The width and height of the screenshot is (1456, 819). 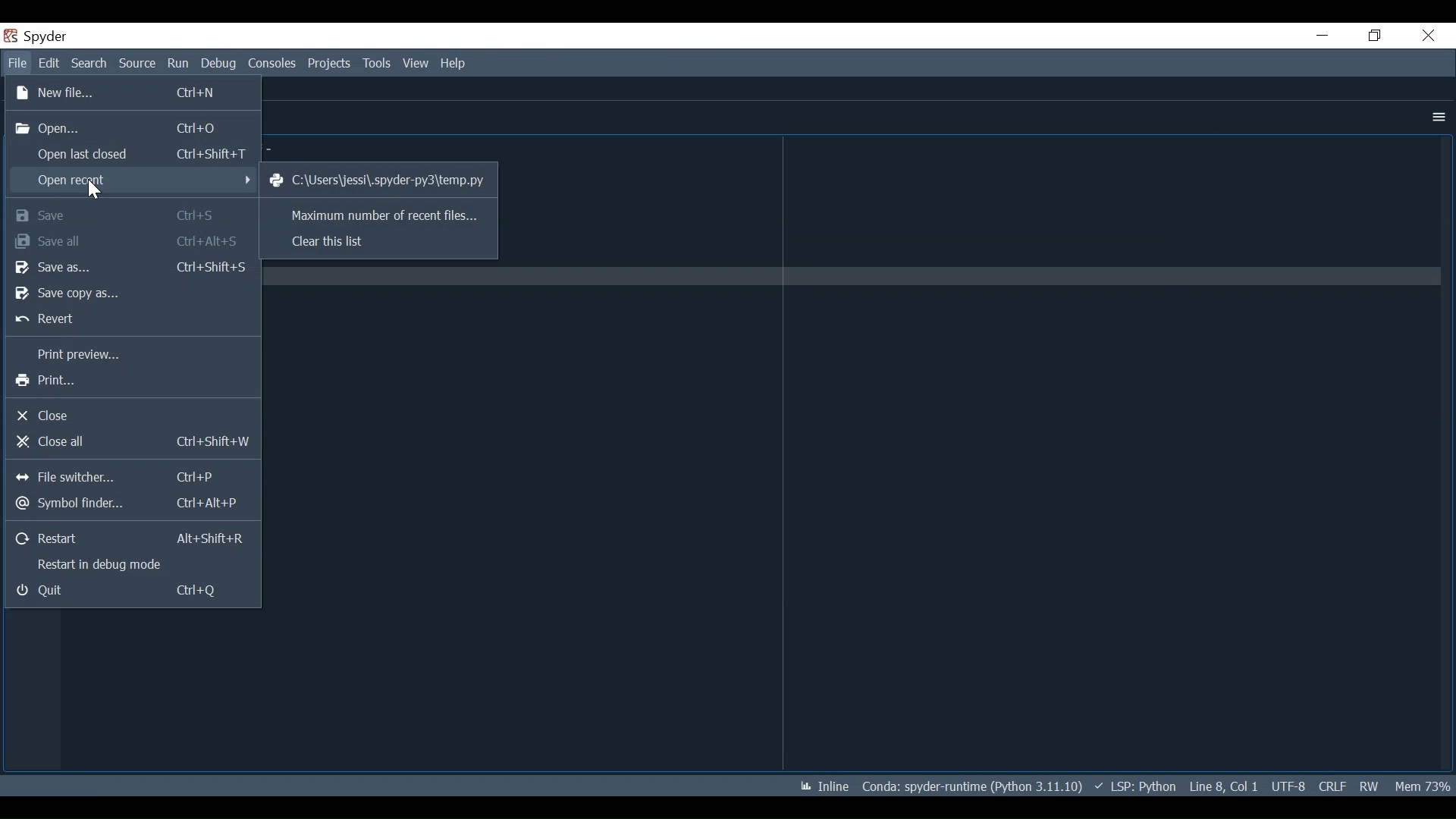 I want to click on Clear this list, so click(x=378, y=243).